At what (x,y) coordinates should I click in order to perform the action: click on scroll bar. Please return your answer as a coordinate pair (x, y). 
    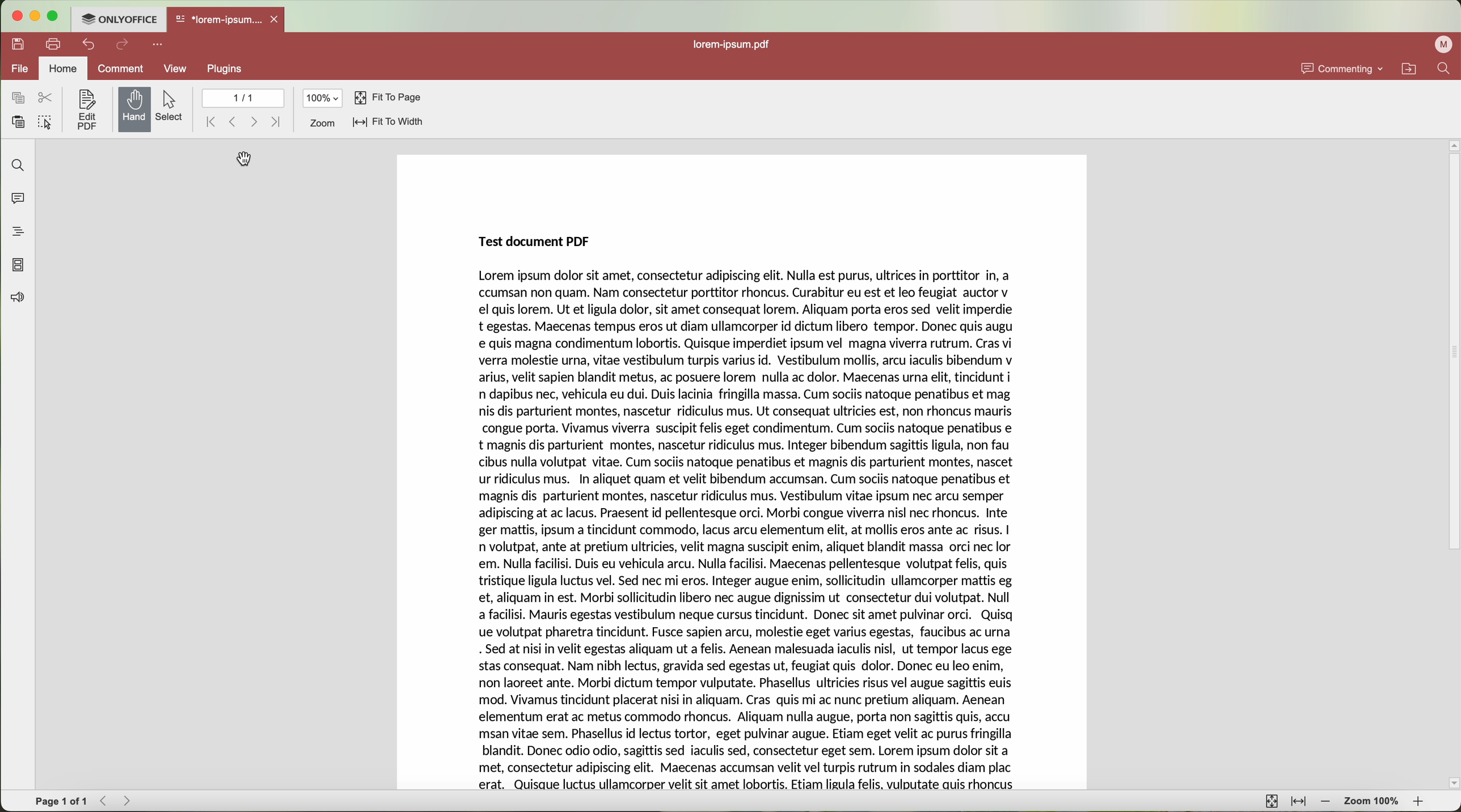
    Looking at the image, I should click on (1452, 463).